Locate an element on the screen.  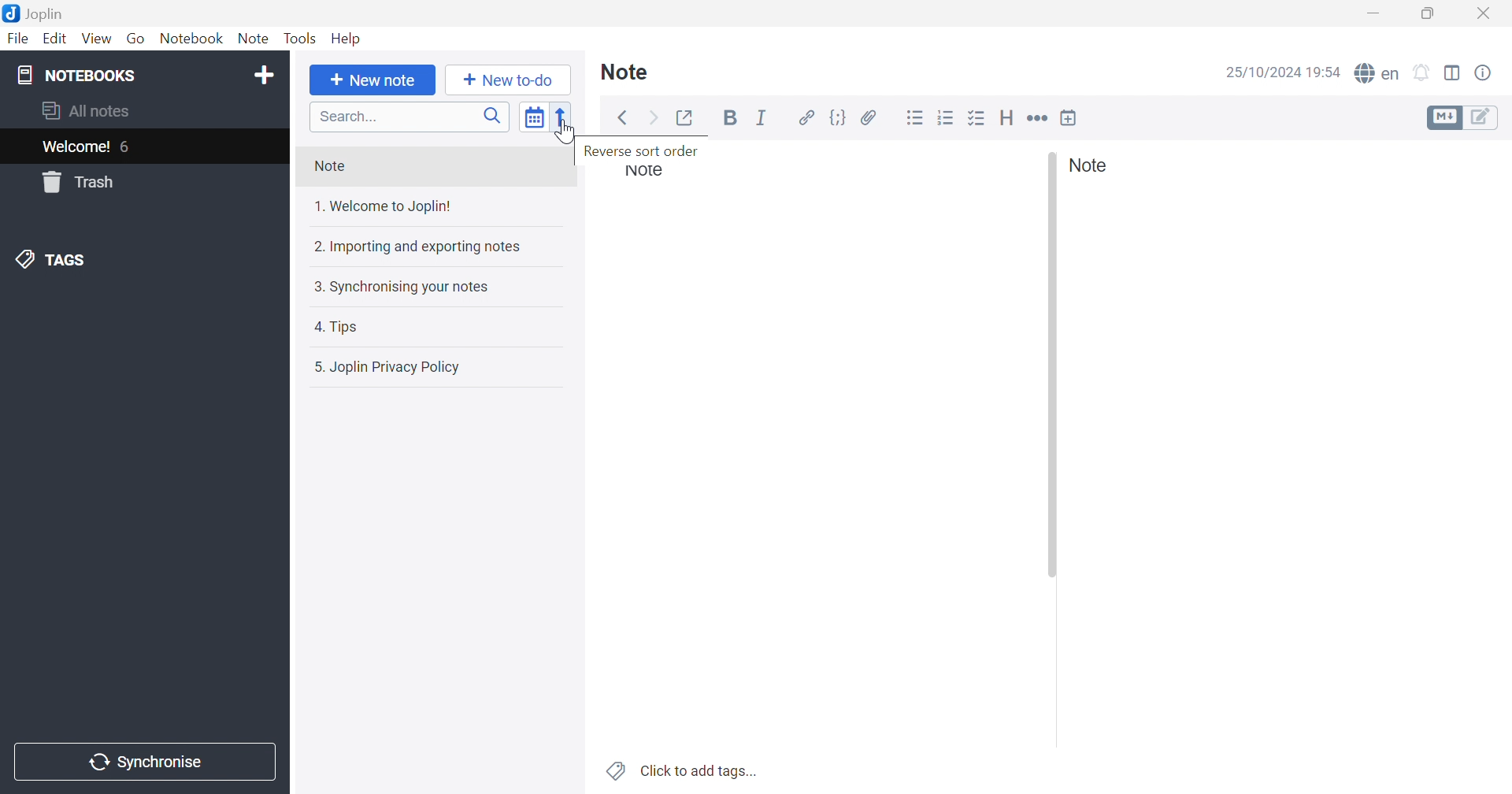
Attach file is located at coordinates (869, 120).